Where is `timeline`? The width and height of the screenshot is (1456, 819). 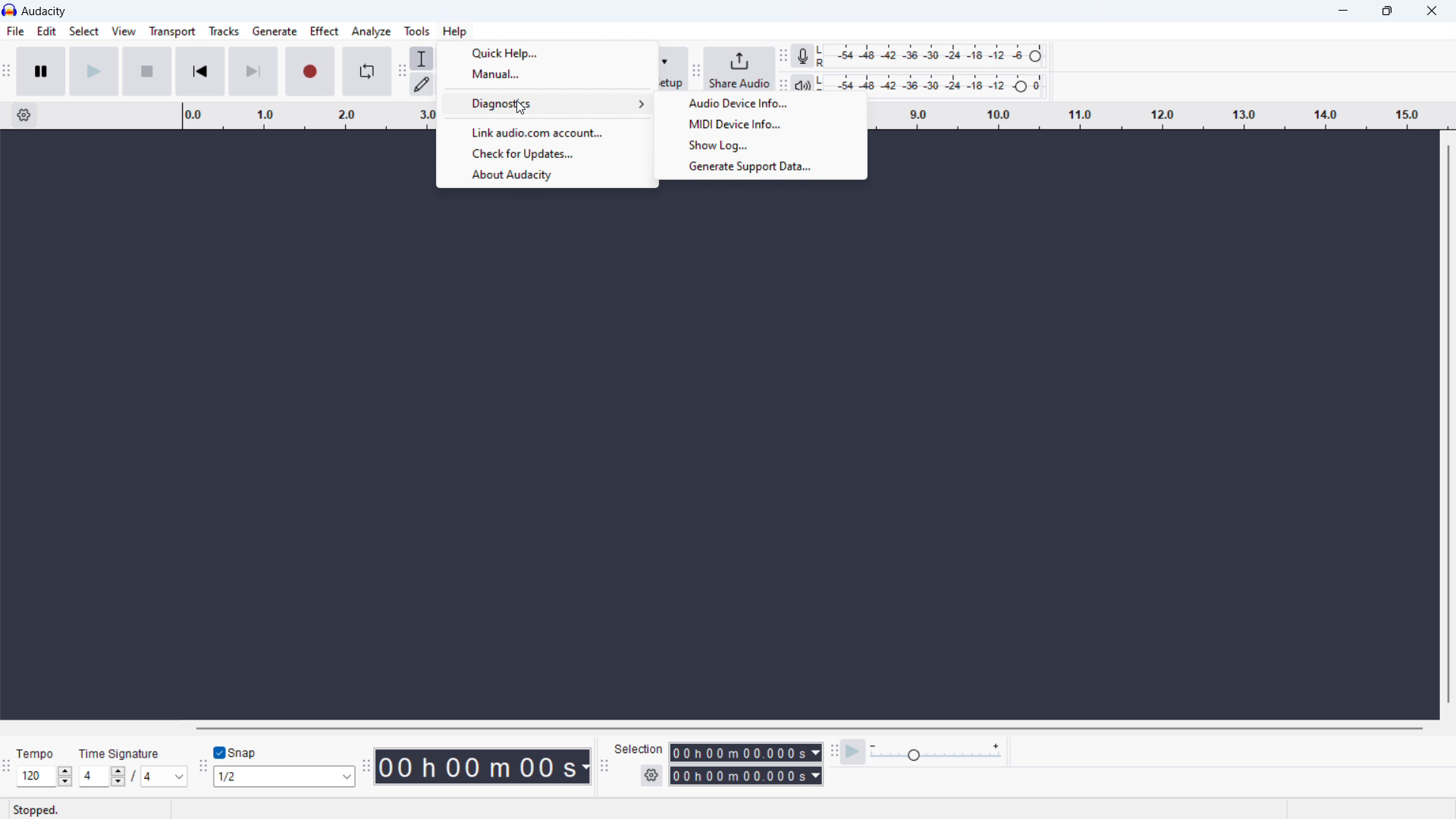 timeline is located at coordinates (1163, 117).